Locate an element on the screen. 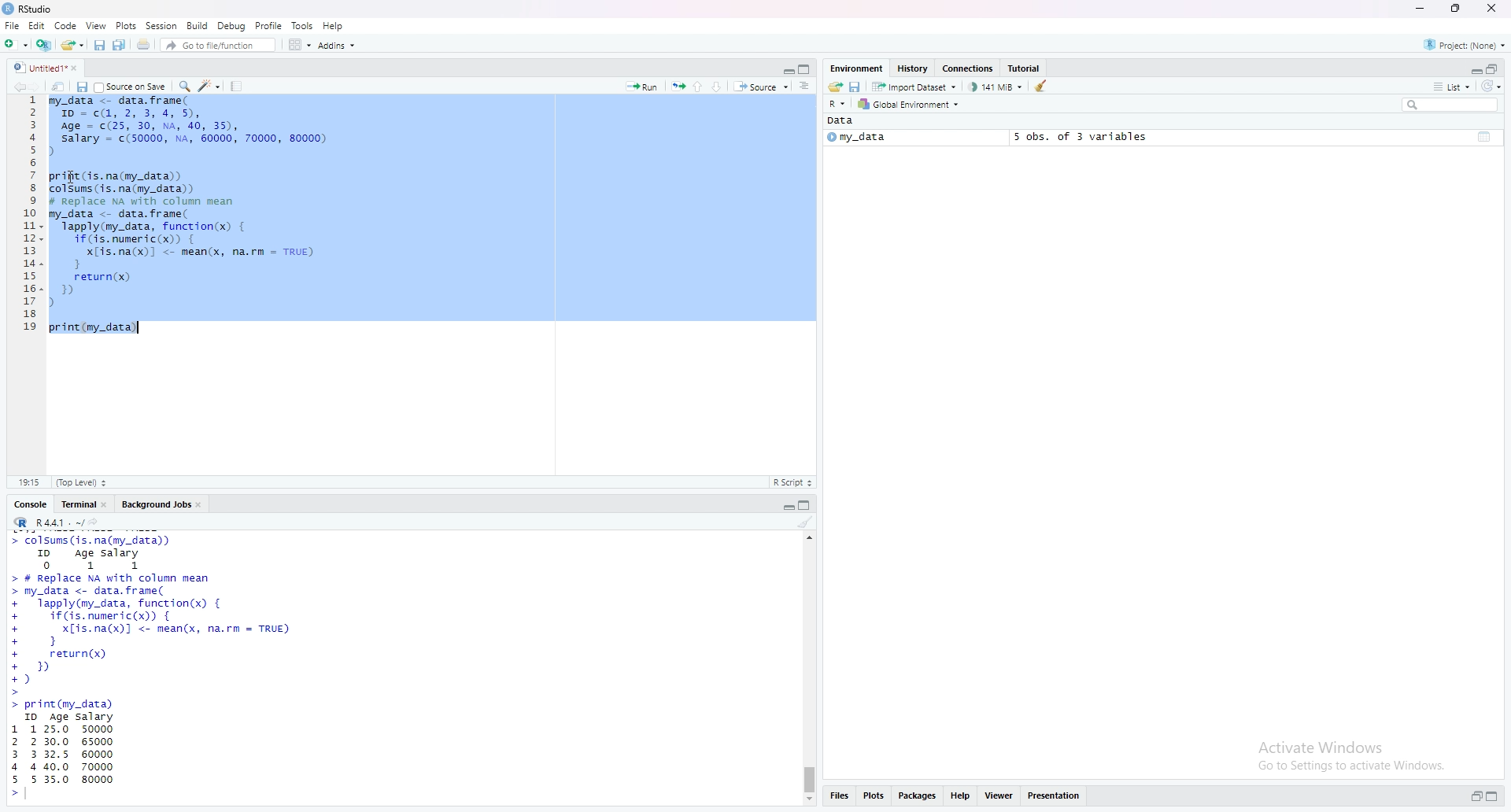  go forward is located at coordinates (36, 87).